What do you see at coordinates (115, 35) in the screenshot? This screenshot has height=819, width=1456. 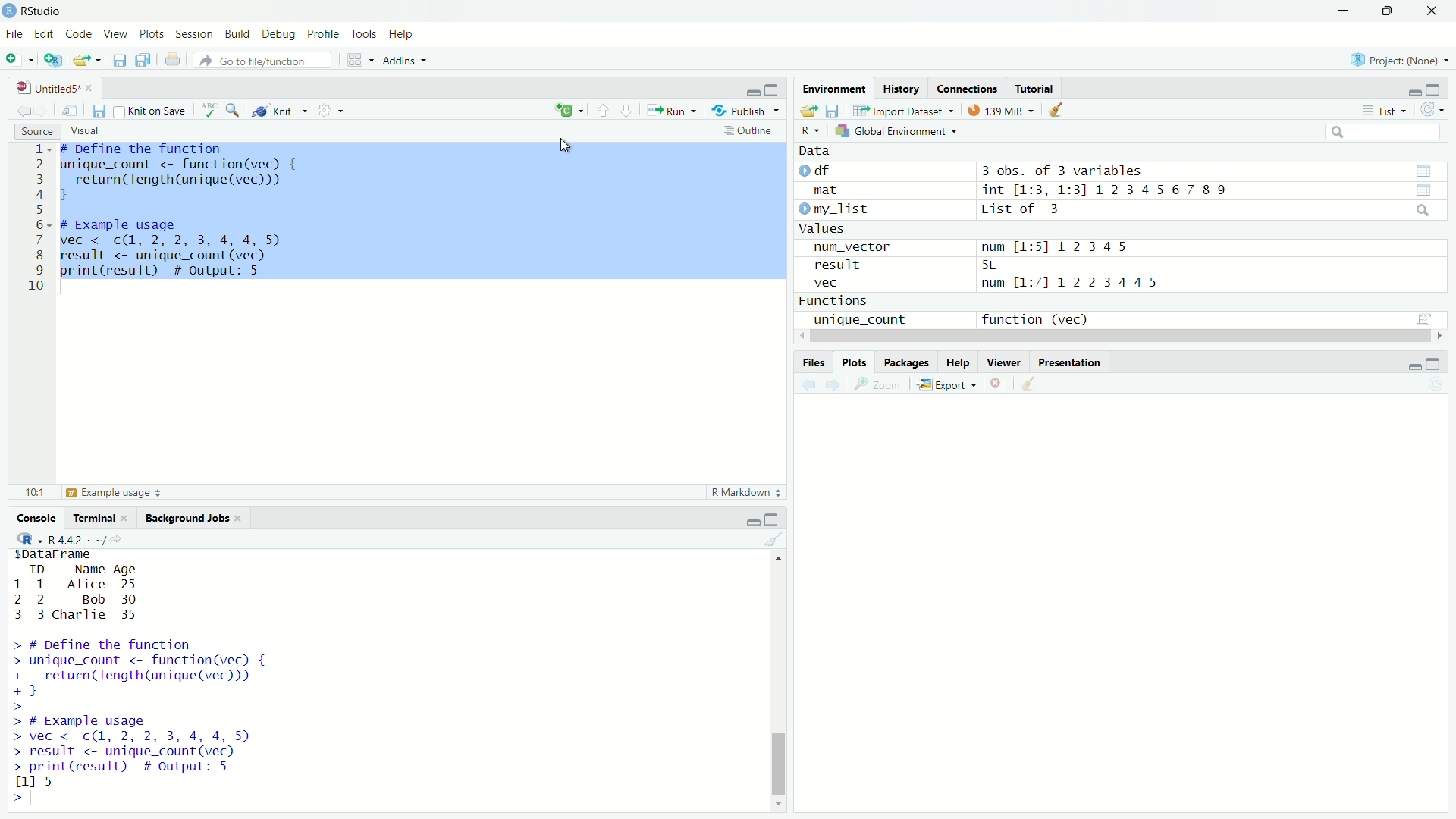 I see `View` at bounding box center [115, 35].